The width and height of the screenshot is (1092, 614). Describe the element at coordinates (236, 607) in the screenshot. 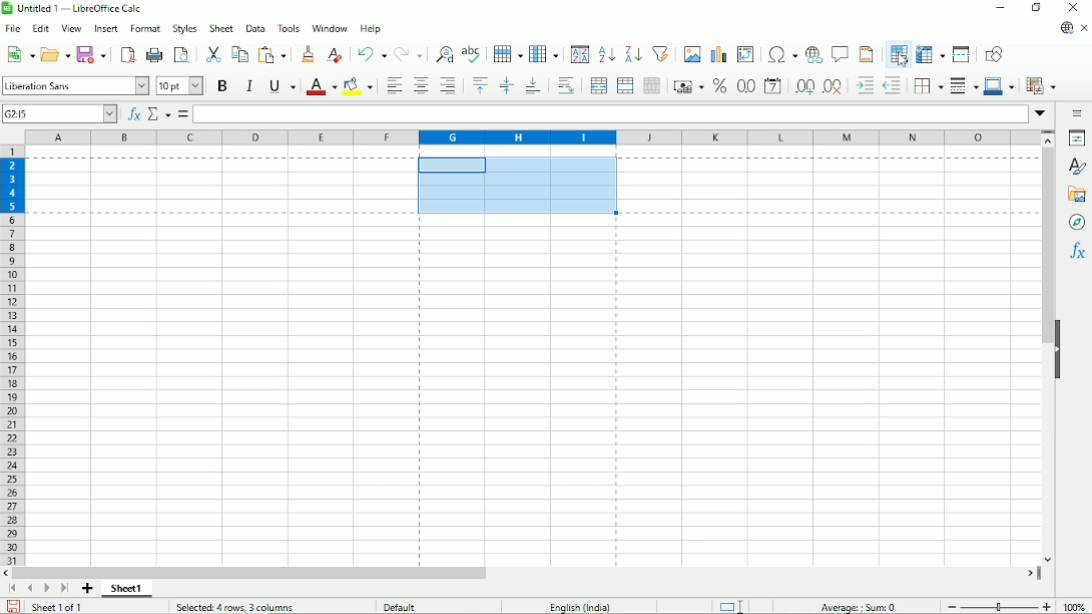

I see `selected 4 rows, 3 columns` at that location.